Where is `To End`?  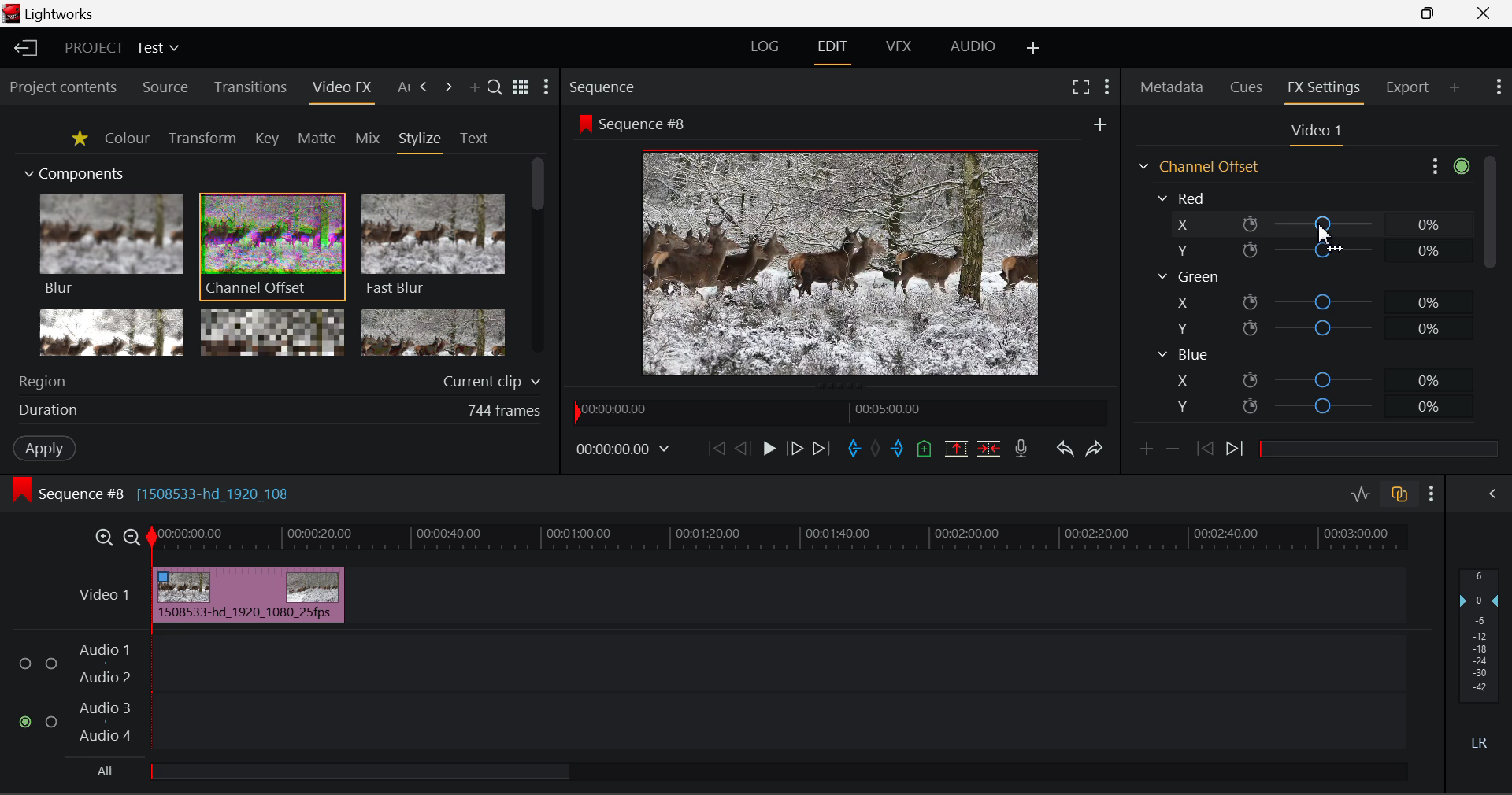
To End is located at coordinates (825, 449).